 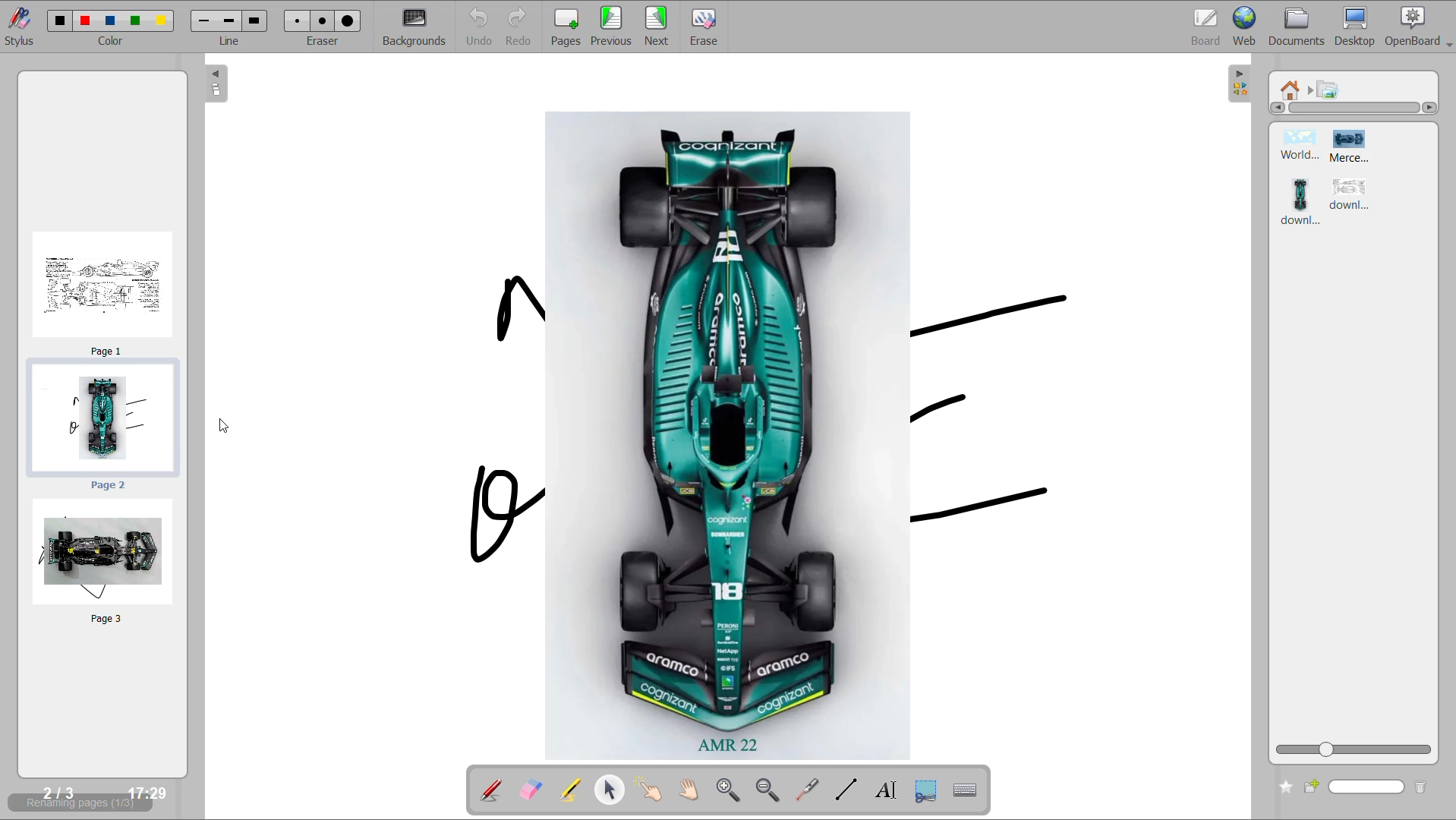 I want to click on erase annotation, so click(x=528, y=791).